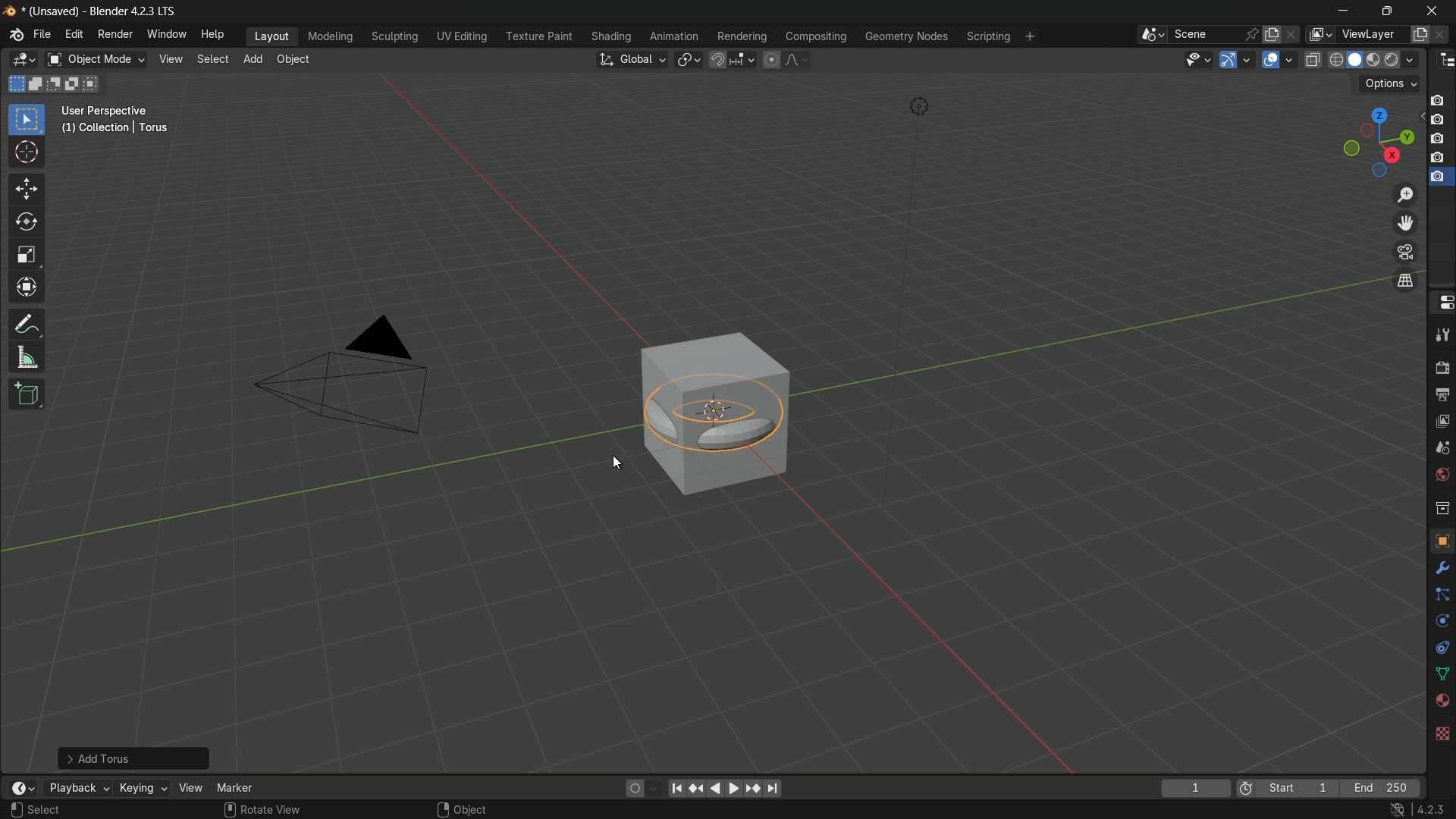 This screenshot has width=1456, height=819. Describe the element at coordinates (1439, 178) in the screenshot. I see `selected layer 5` at that location.